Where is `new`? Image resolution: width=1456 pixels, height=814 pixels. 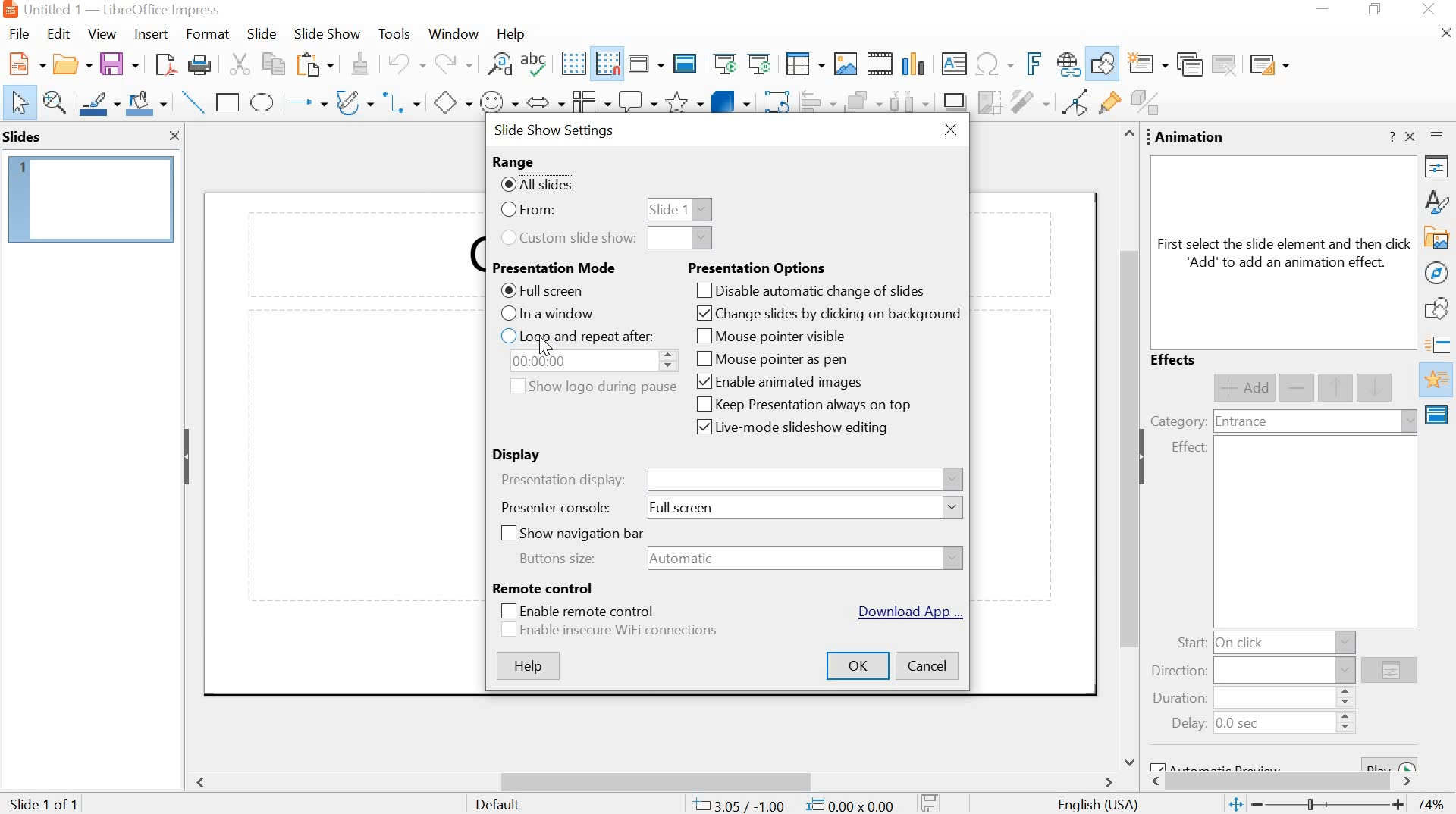 new is located at coordinates (24, 64).